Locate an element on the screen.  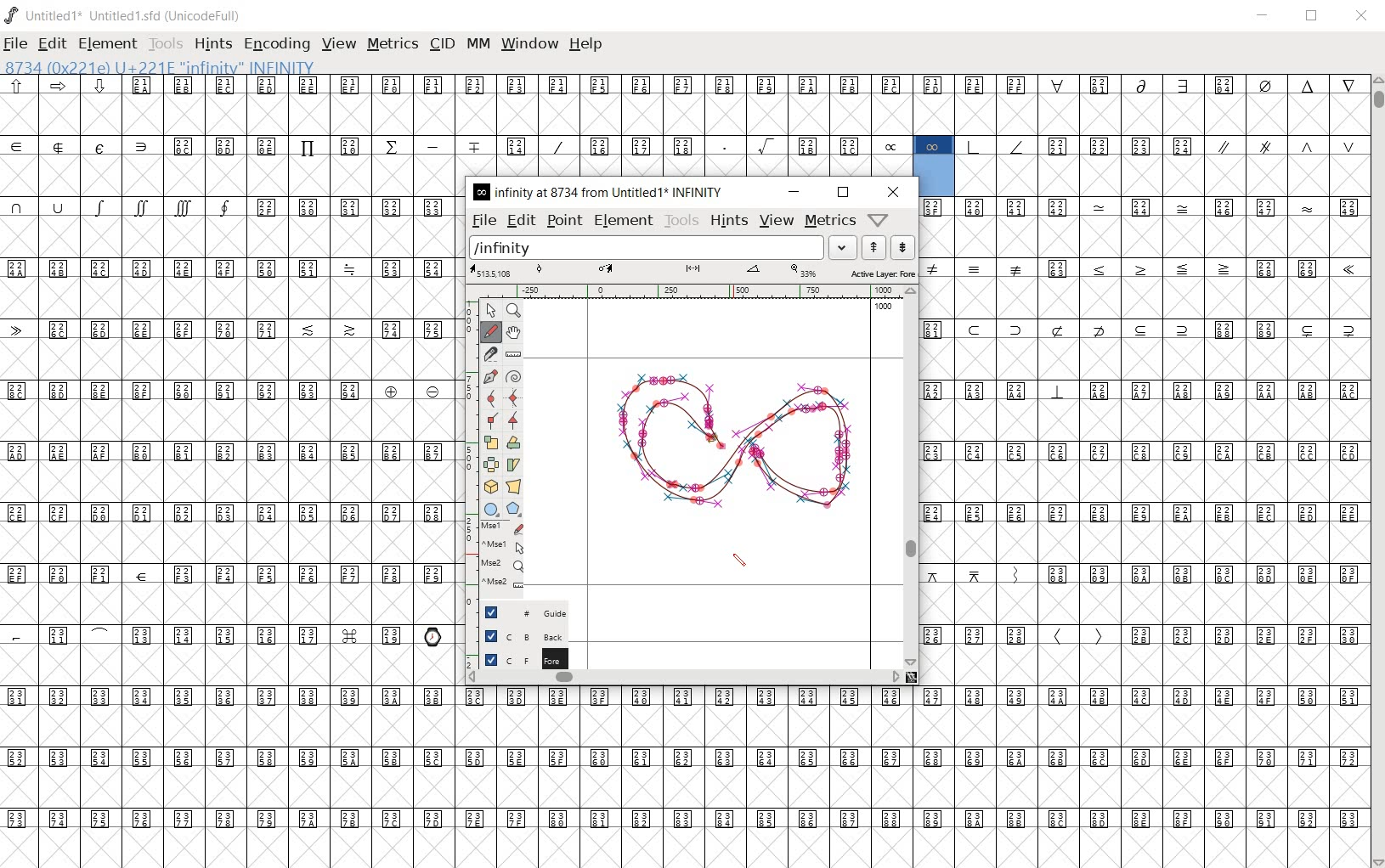
scroll by hand is located at coordinates (515, 331).